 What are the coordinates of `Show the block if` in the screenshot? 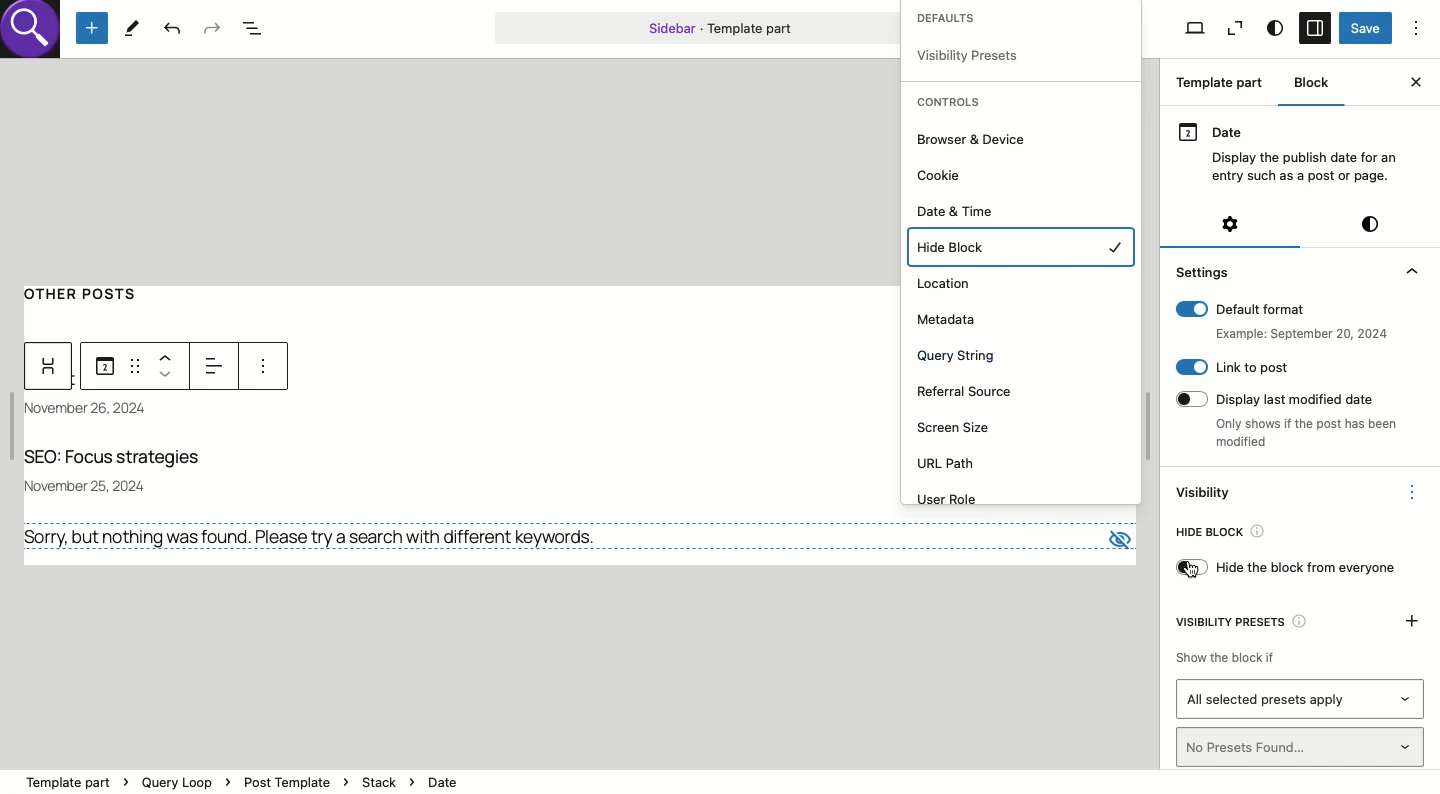 It's located at (1223, 659).